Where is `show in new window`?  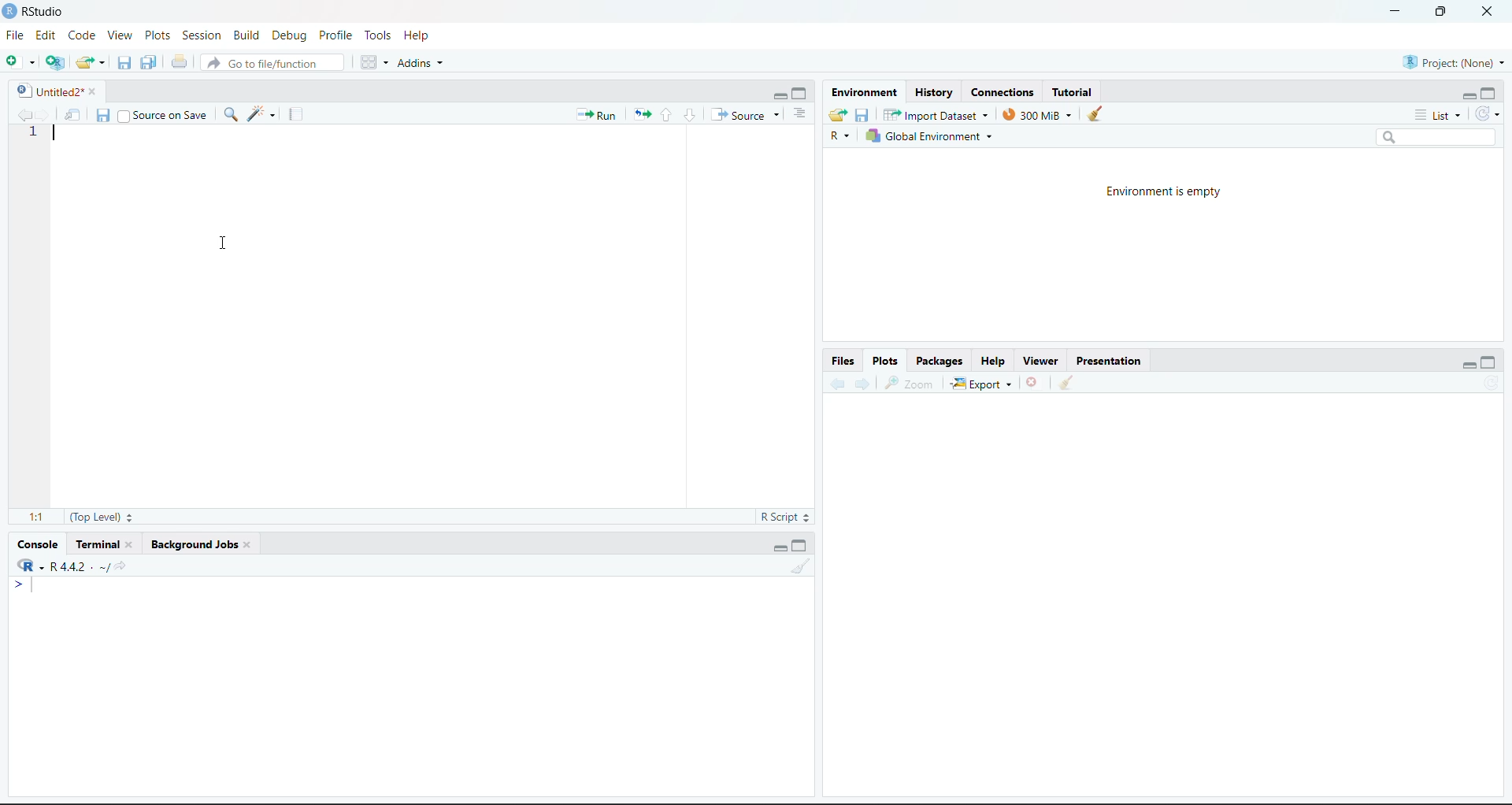
show in new window is located at coordinates (75, 113).